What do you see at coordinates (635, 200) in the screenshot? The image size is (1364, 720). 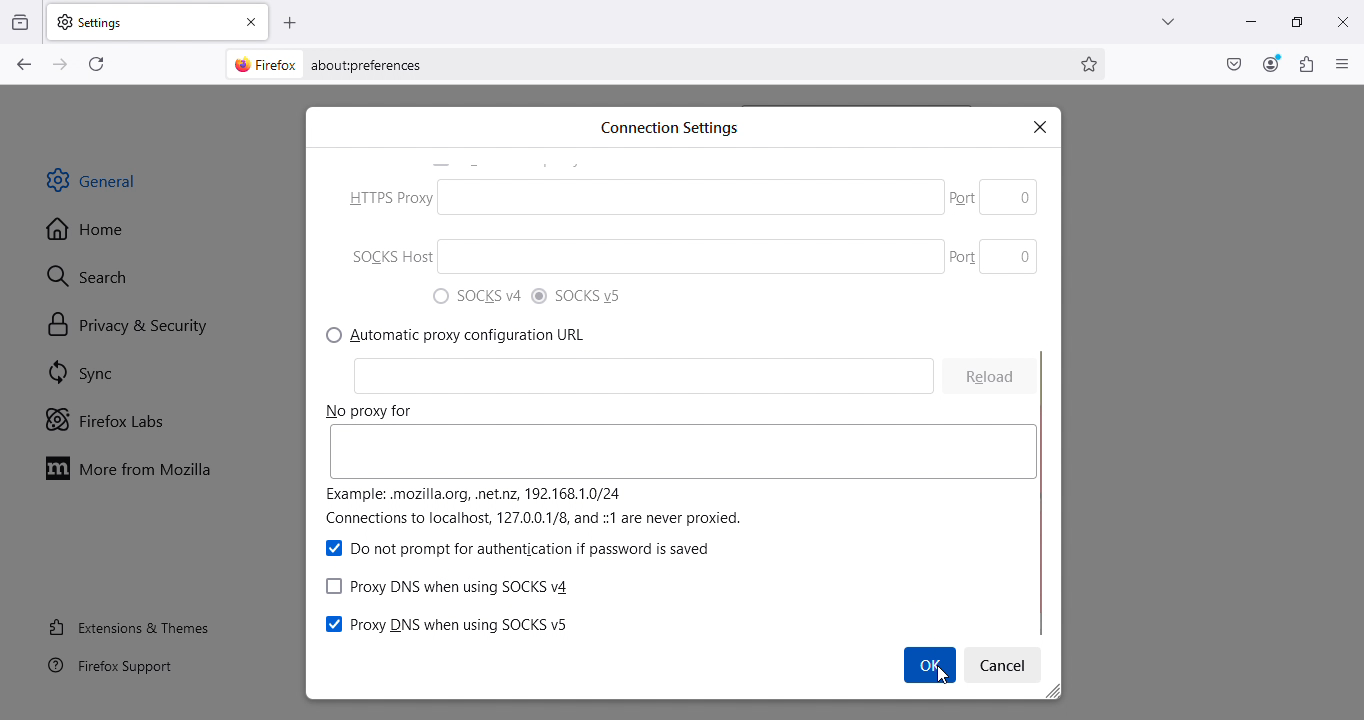 I see `IB (O) No proxy` at bounding box center [635, 200].